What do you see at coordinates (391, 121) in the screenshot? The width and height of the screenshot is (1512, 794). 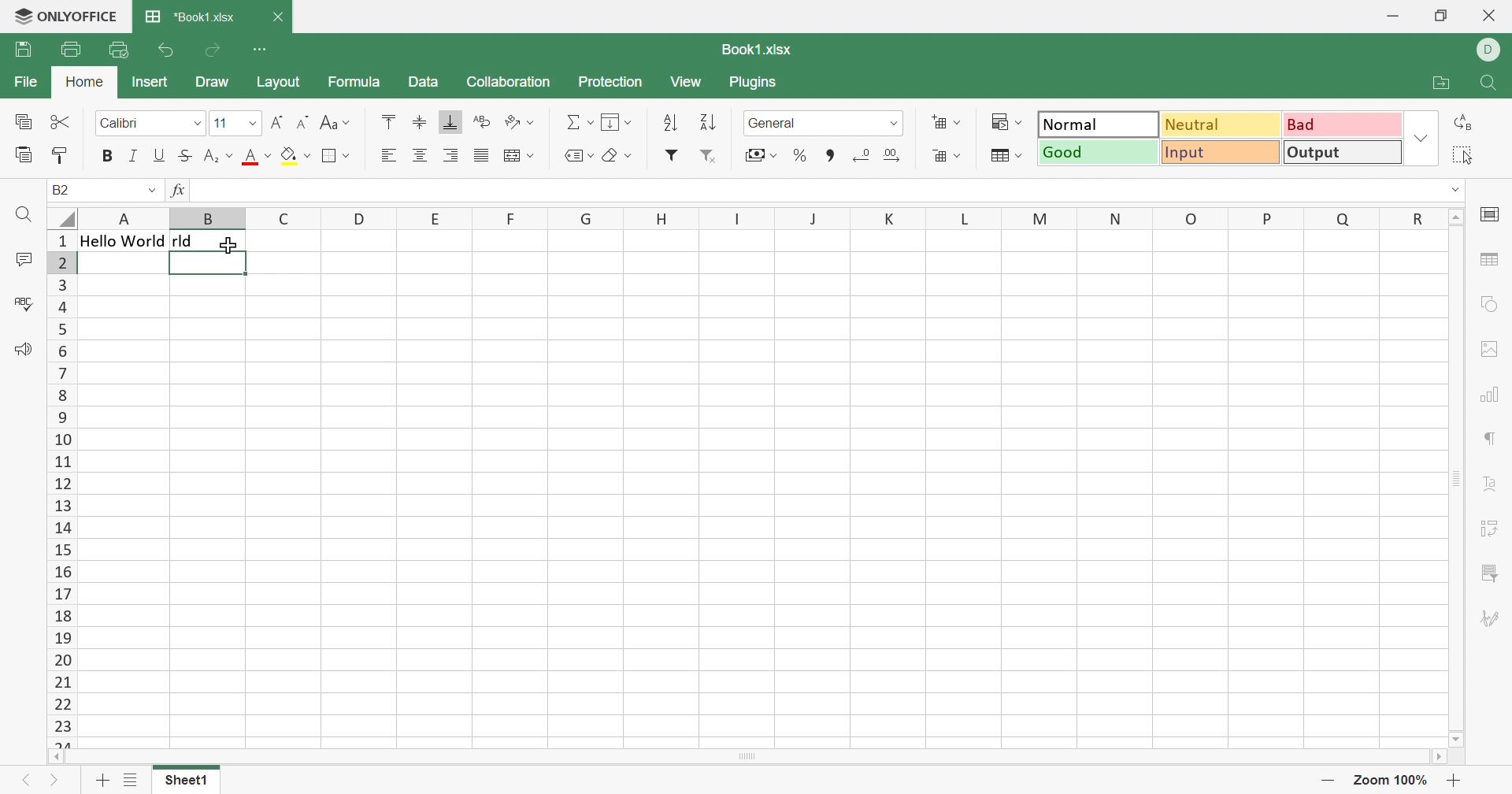 I see `Align top` at bounding box center [391, 121].